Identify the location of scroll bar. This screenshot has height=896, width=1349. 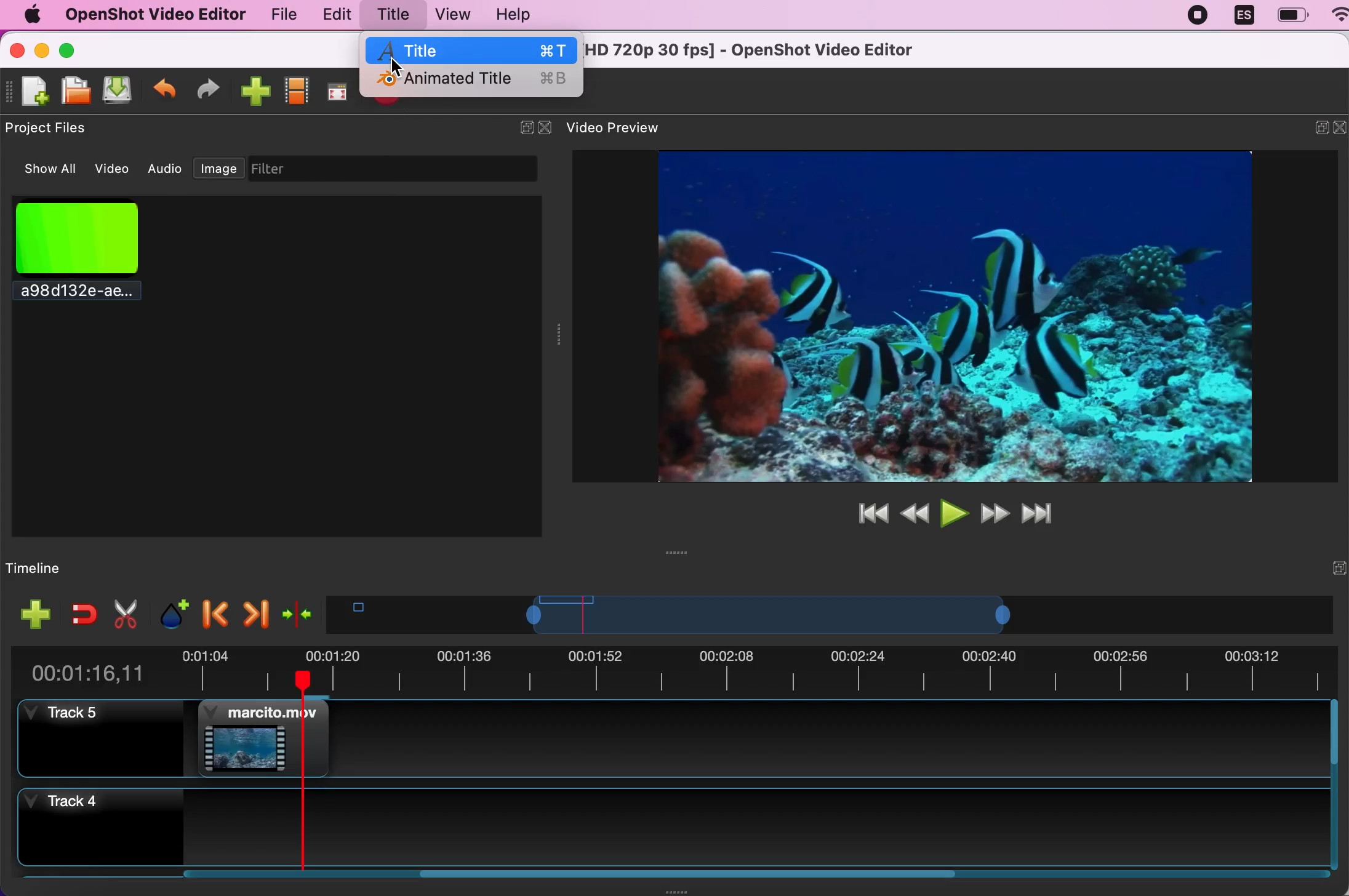
(572, 879).